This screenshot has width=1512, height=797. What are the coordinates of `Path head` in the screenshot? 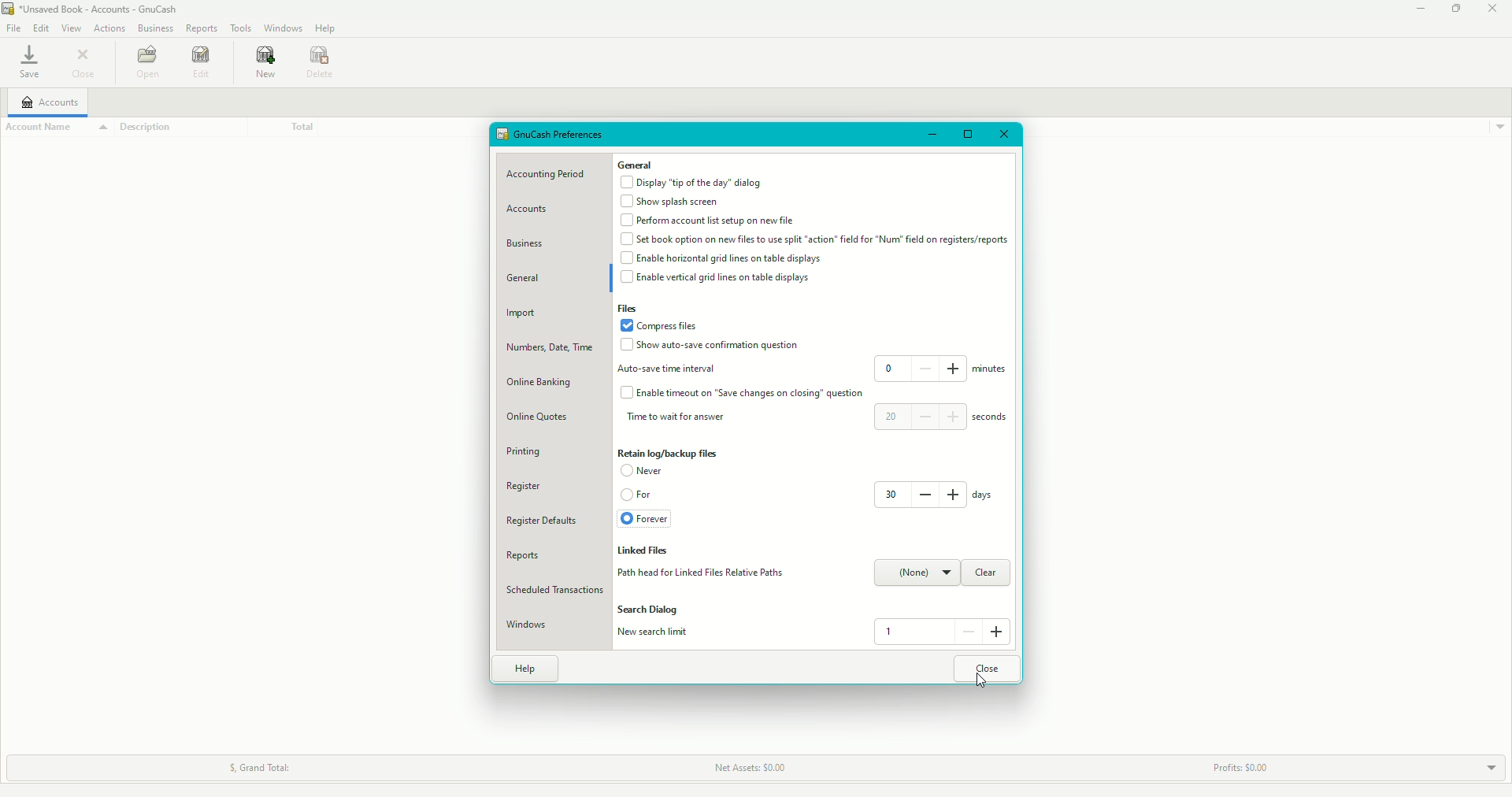 It's located at (699, 573).